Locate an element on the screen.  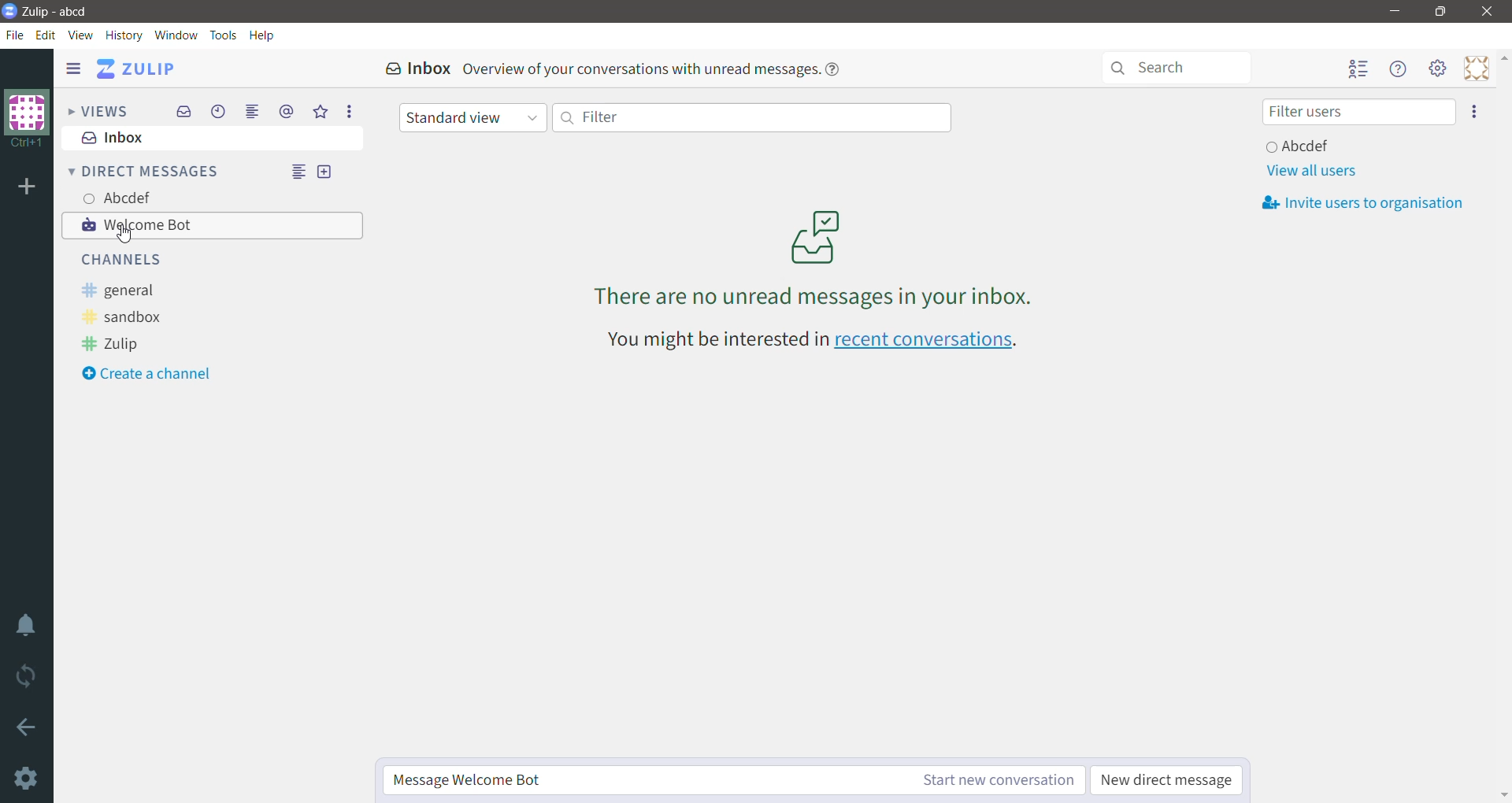
Standard View is located at coordinates (471, 117).